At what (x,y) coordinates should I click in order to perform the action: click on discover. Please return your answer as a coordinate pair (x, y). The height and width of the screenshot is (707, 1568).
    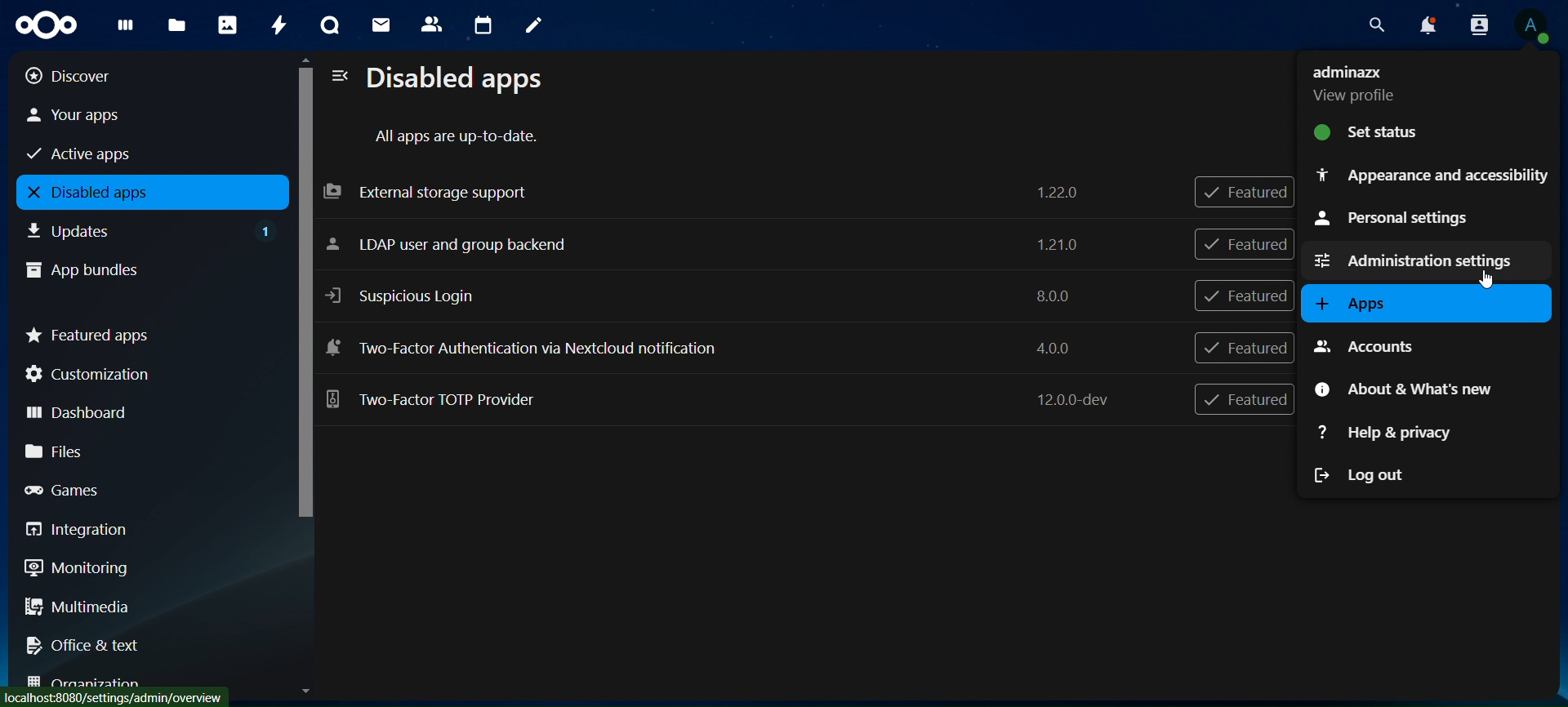
    Looking at the image, I should click on (131, 75).